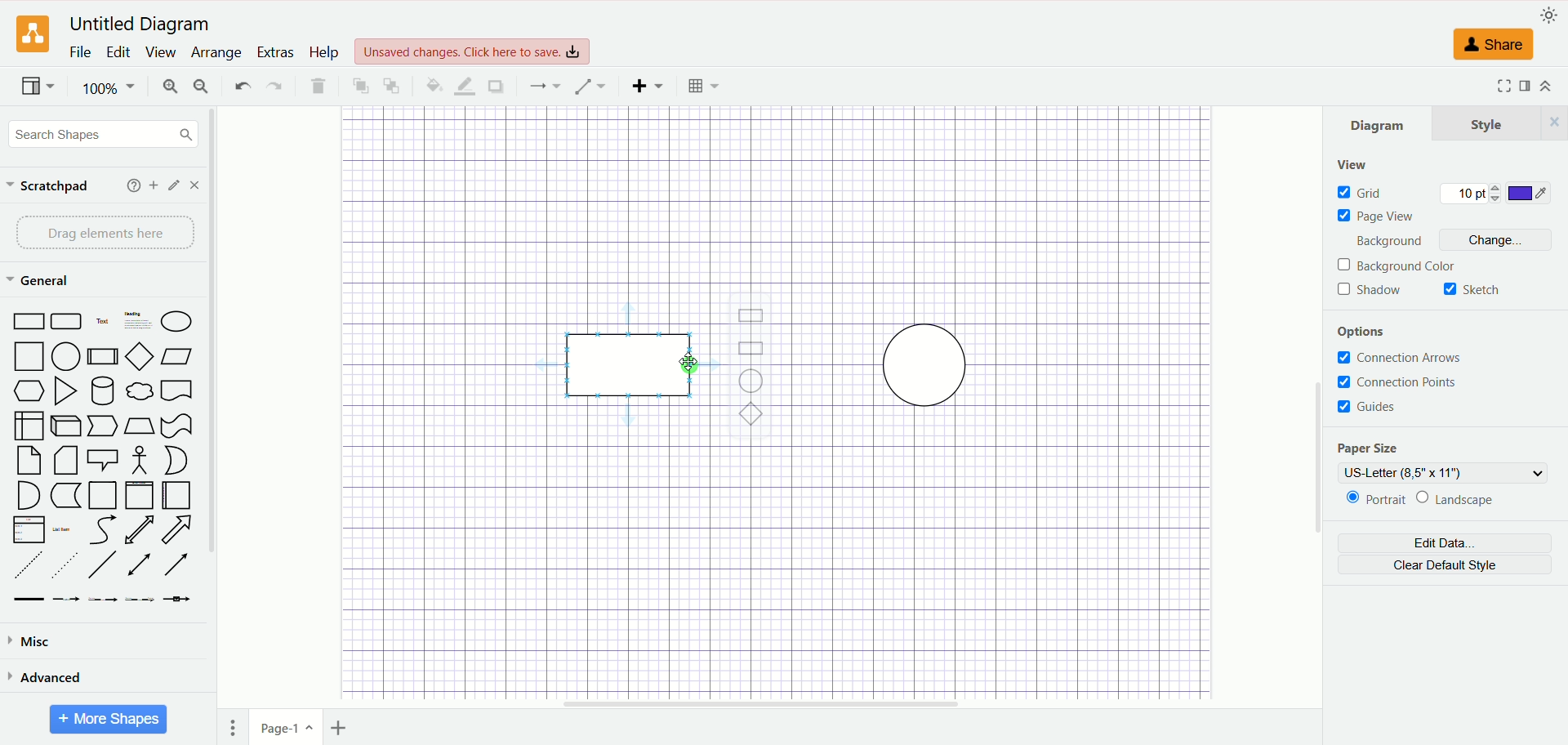 The height and width of the screenshot is (745, 1568). What do you see at coordinates (177, 497) in the screenshot?
I see `Horizontal Page` at bounding box center [177, 497].